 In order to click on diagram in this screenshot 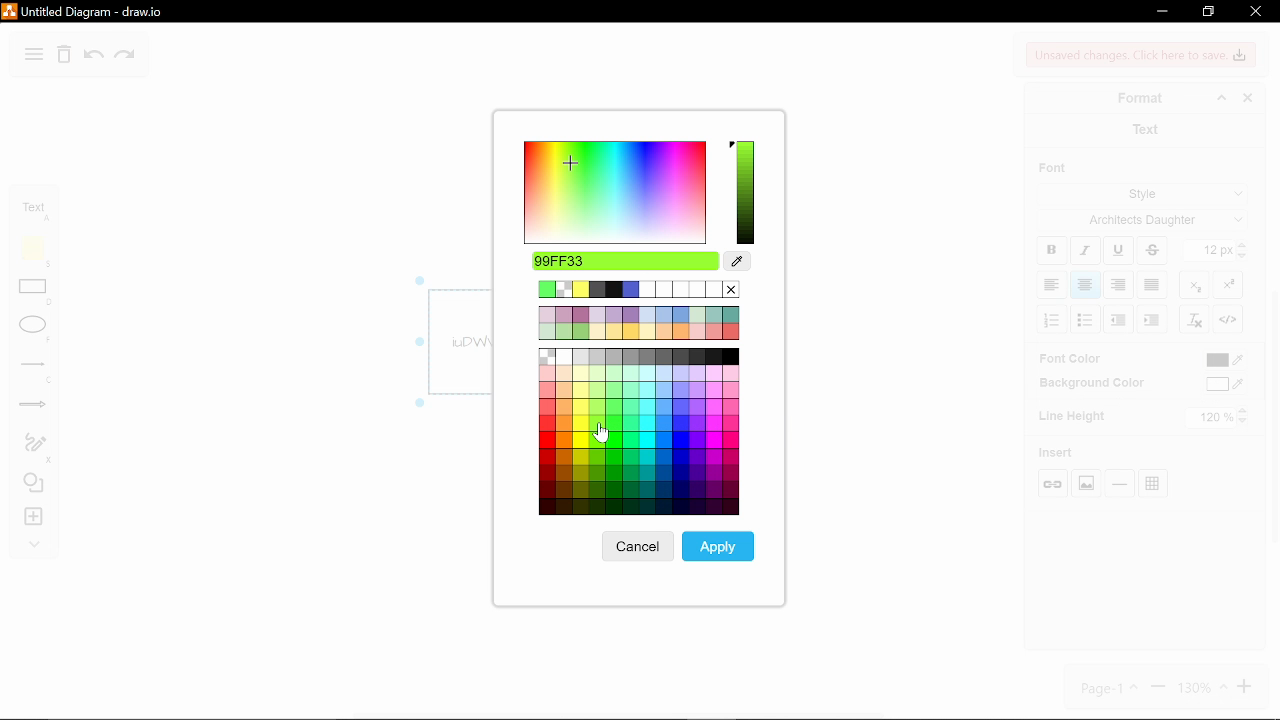, I will do `click(34, 56)`.